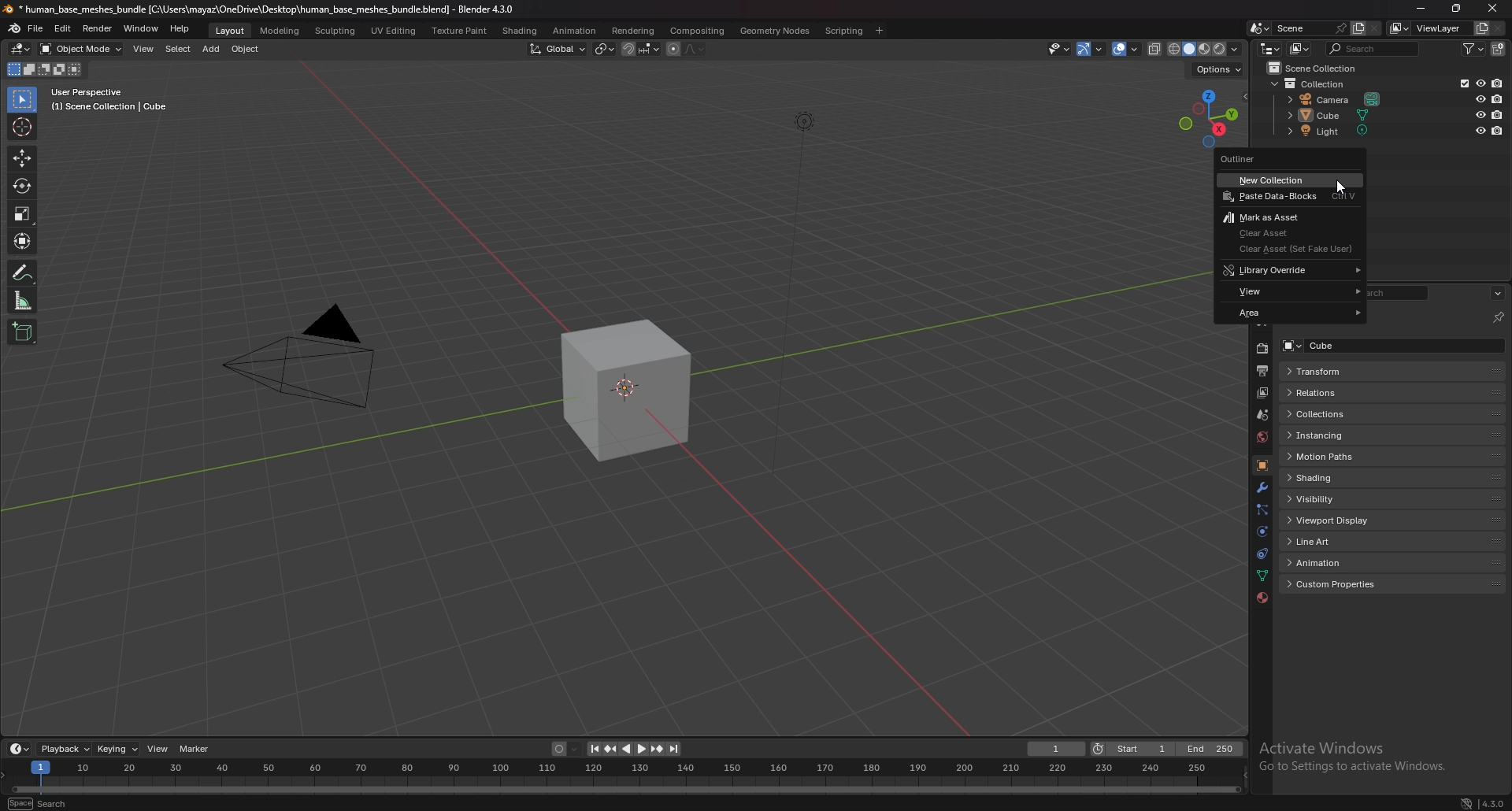  I want to click on transform, so click(24, 239).